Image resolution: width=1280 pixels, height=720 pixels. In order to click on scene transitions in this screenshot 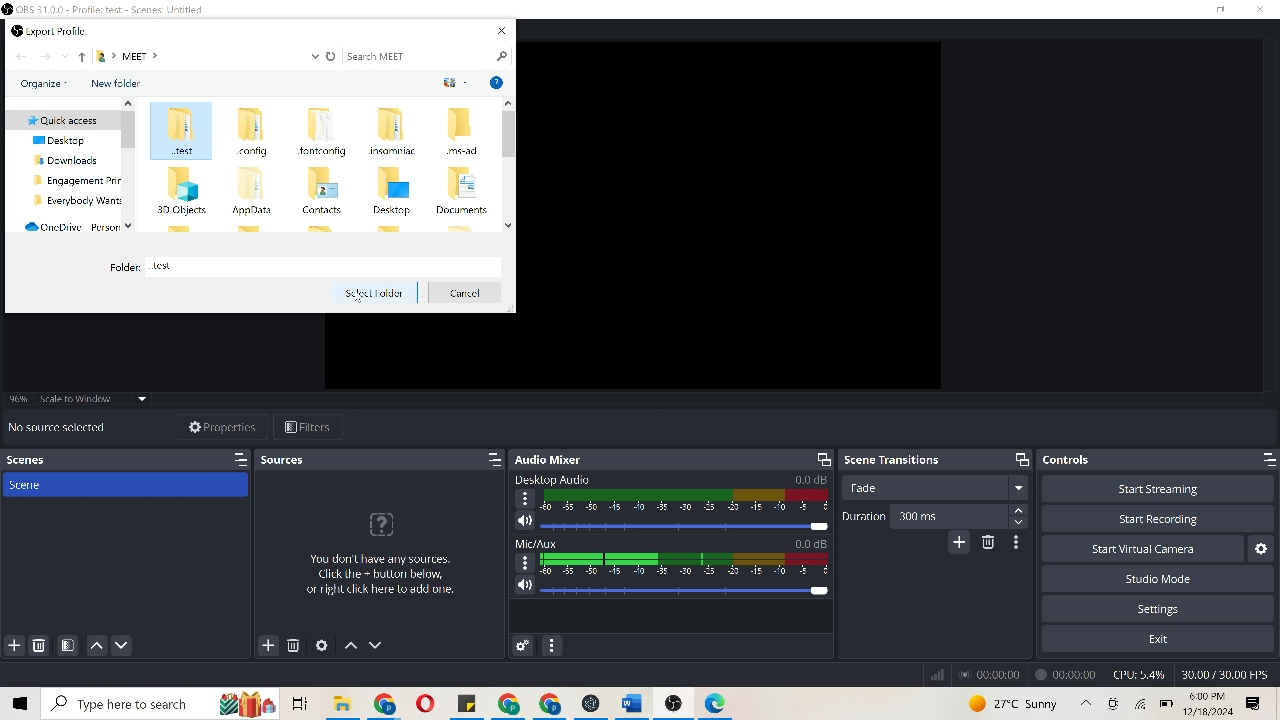, I will do `click(897, 460)`.